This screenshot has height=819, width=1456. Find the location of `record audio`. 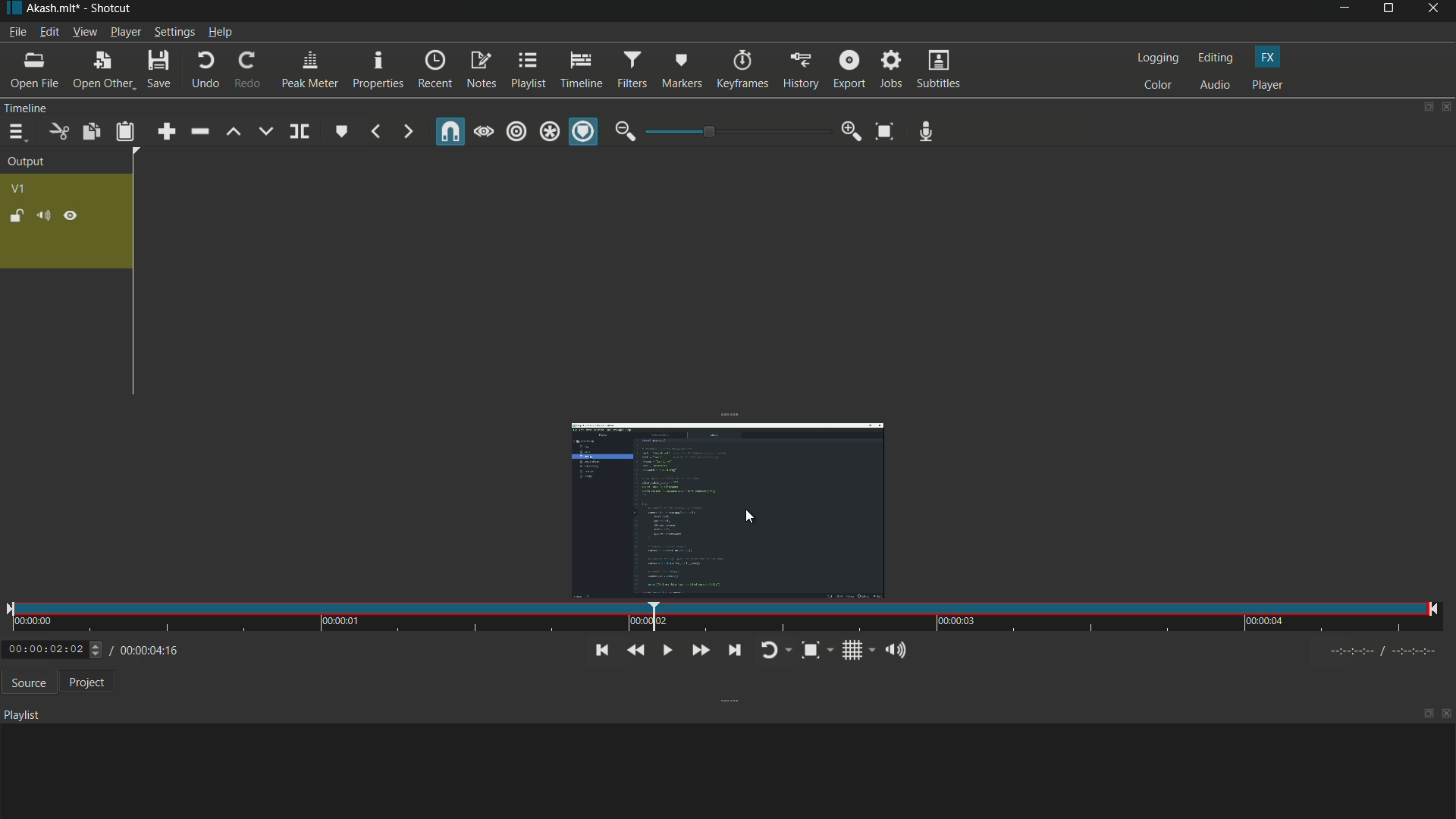

record audio is located at coordinates (927, 132).